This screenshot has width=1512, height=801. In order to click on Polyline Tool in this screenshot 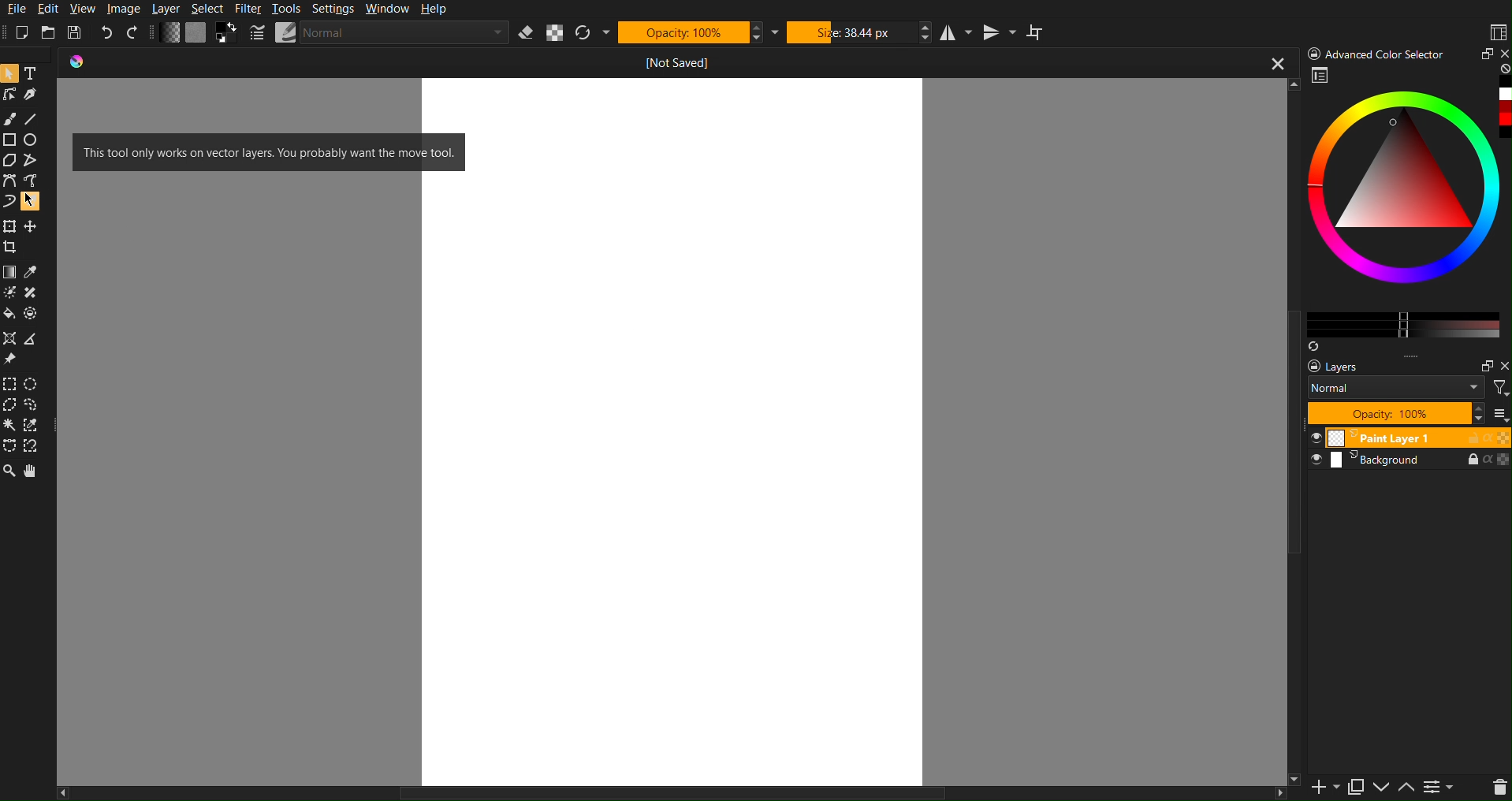, I will do `click(34, 161)`.